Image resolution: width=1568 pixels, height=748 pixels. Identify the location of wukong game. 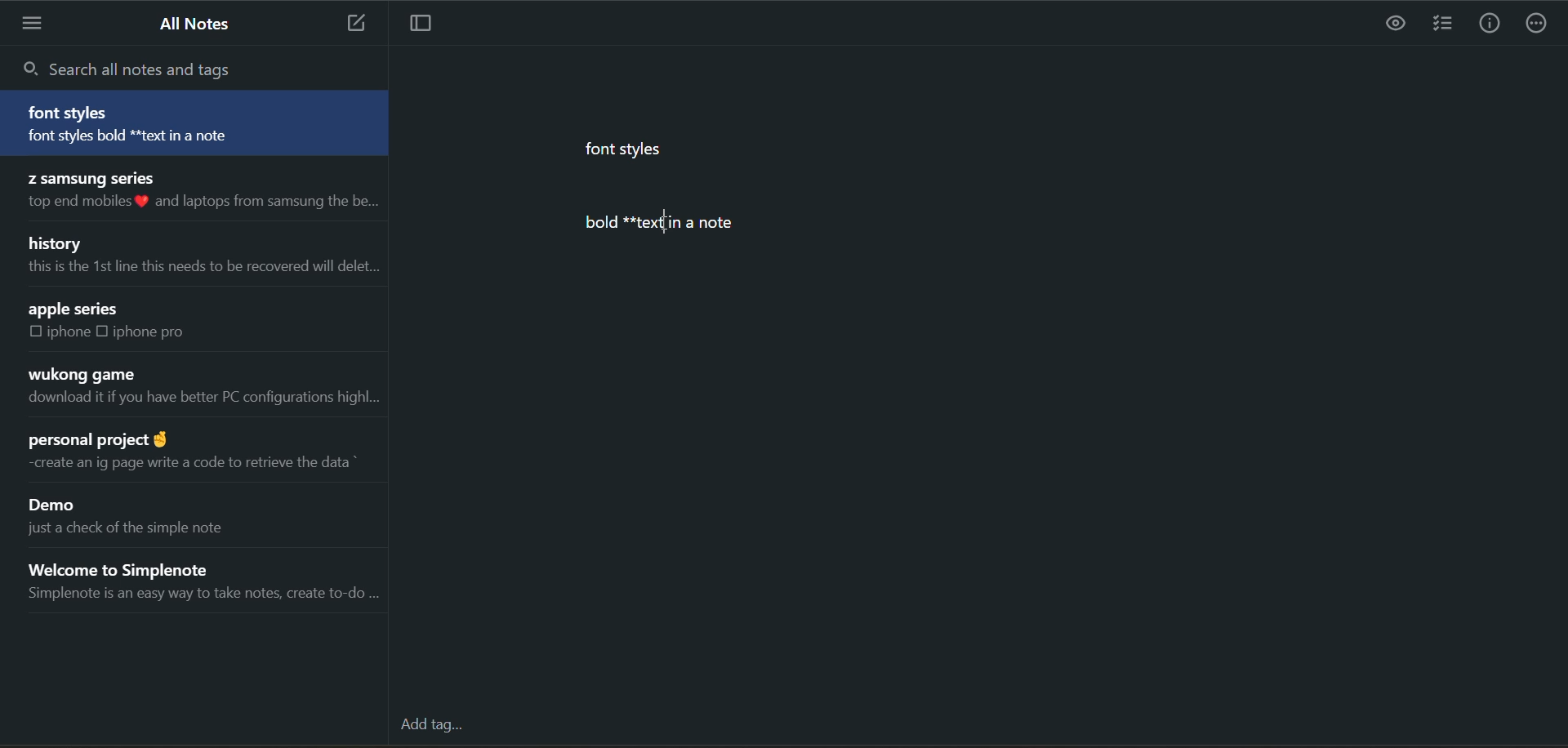
(80, 375).